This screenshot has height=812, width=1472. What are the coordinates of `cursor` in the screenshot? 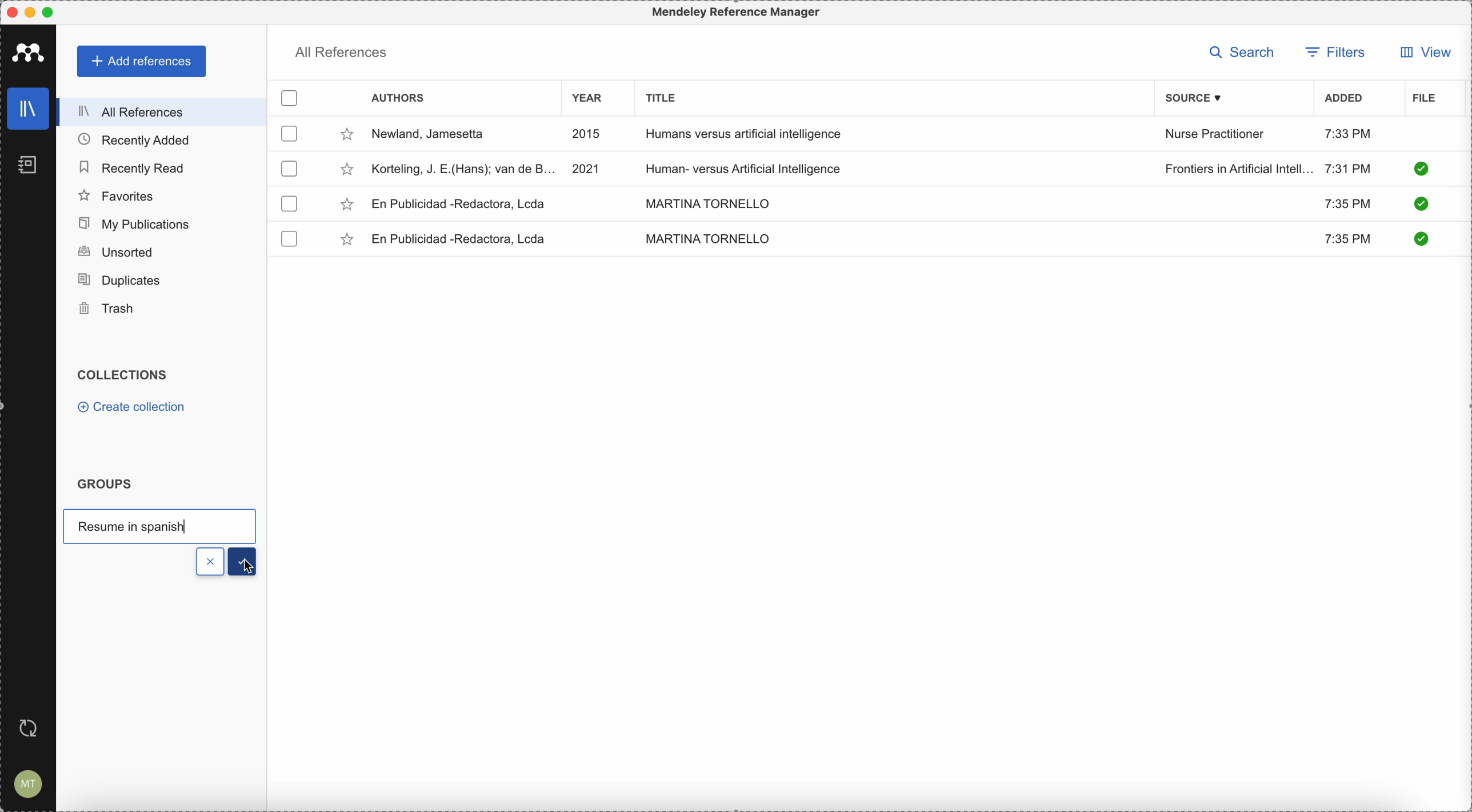 It's located at (253, 567).